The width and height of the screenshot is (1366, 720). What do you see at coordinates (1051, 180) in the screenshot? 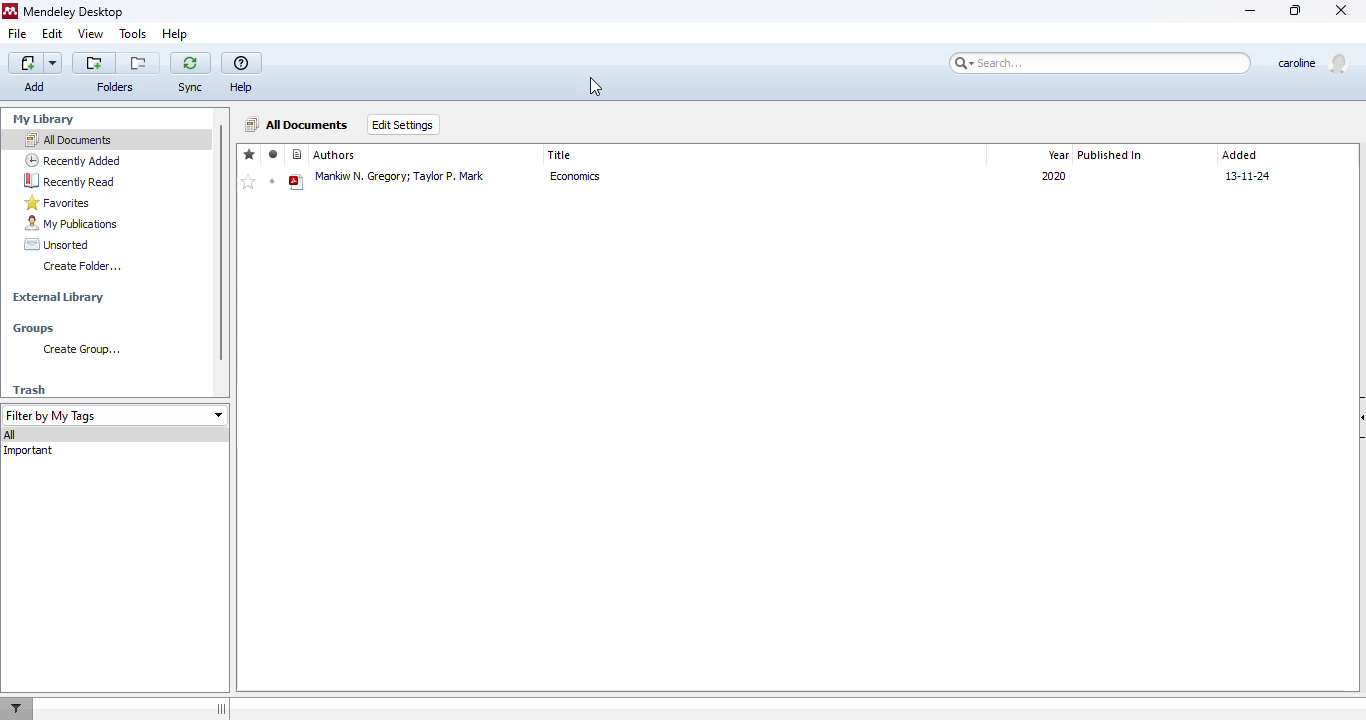
I see `year-2020` at bounding box center [1051, 180].